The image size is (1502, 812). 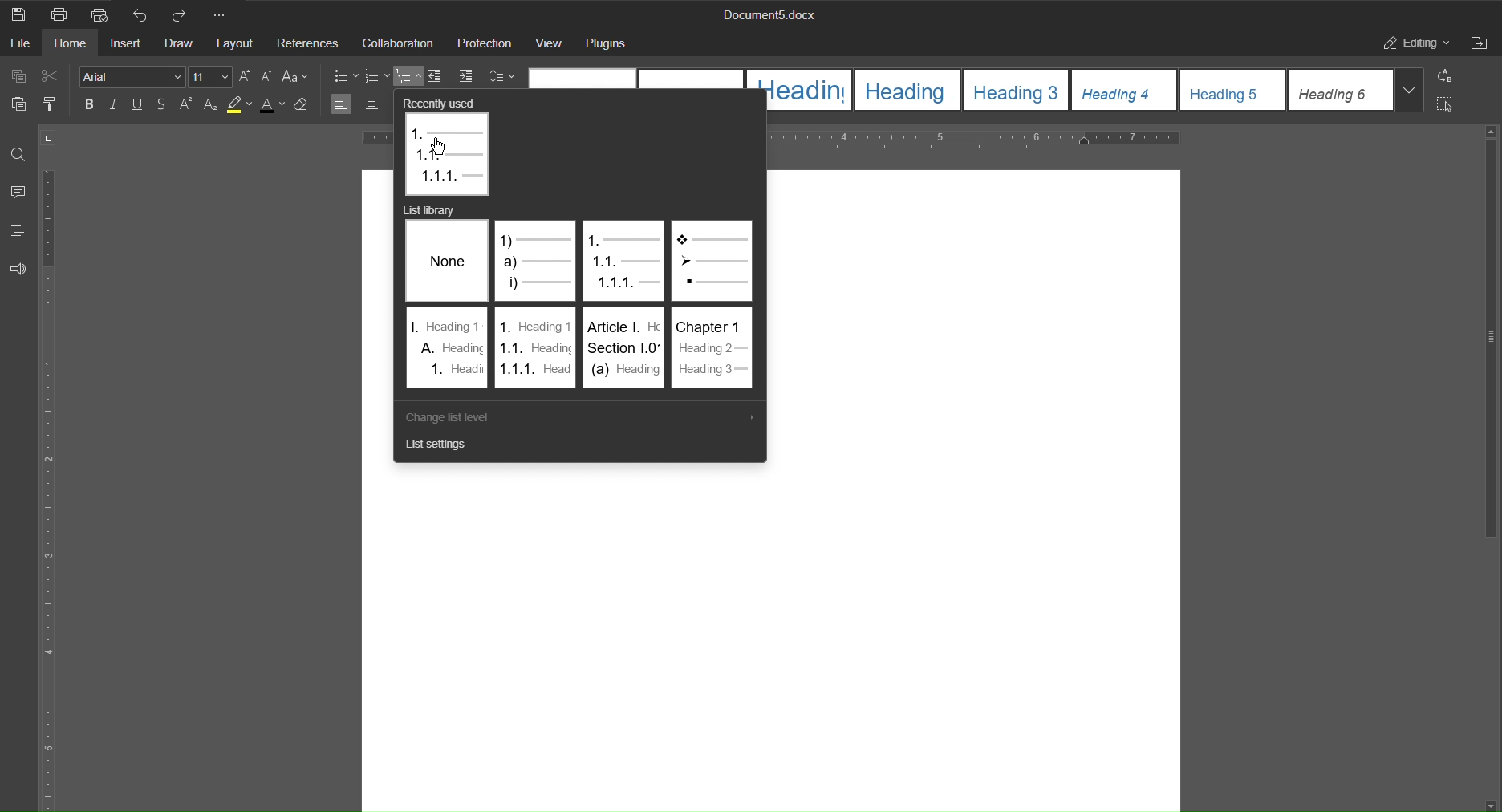 I want to click on List Library, so click(x=584, y=303).